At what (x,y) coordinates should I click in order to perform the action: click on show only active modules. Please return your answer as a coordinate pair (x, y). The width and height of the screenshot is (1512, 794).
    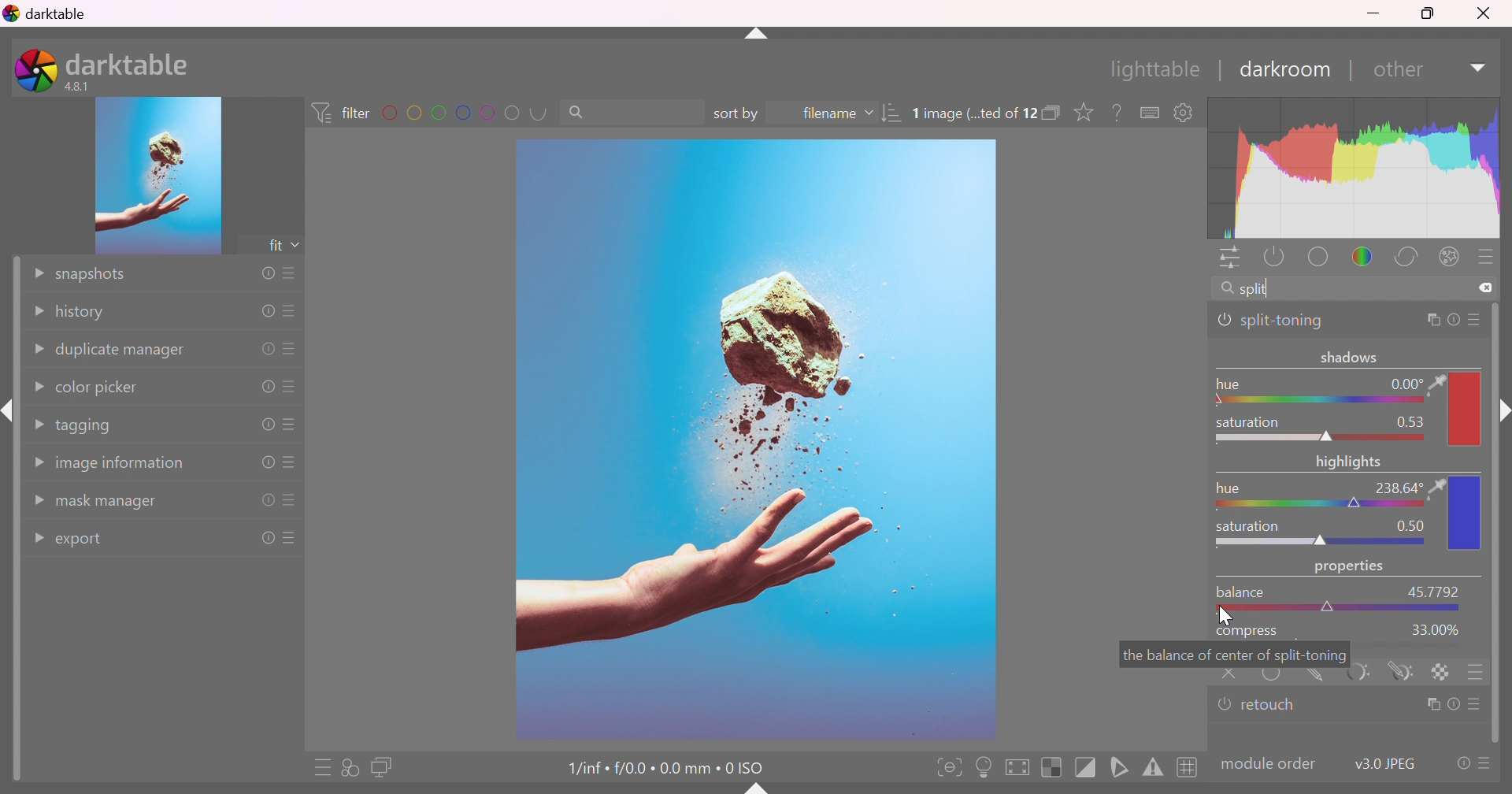
    Looking at the image, I should click on (1277, 256).